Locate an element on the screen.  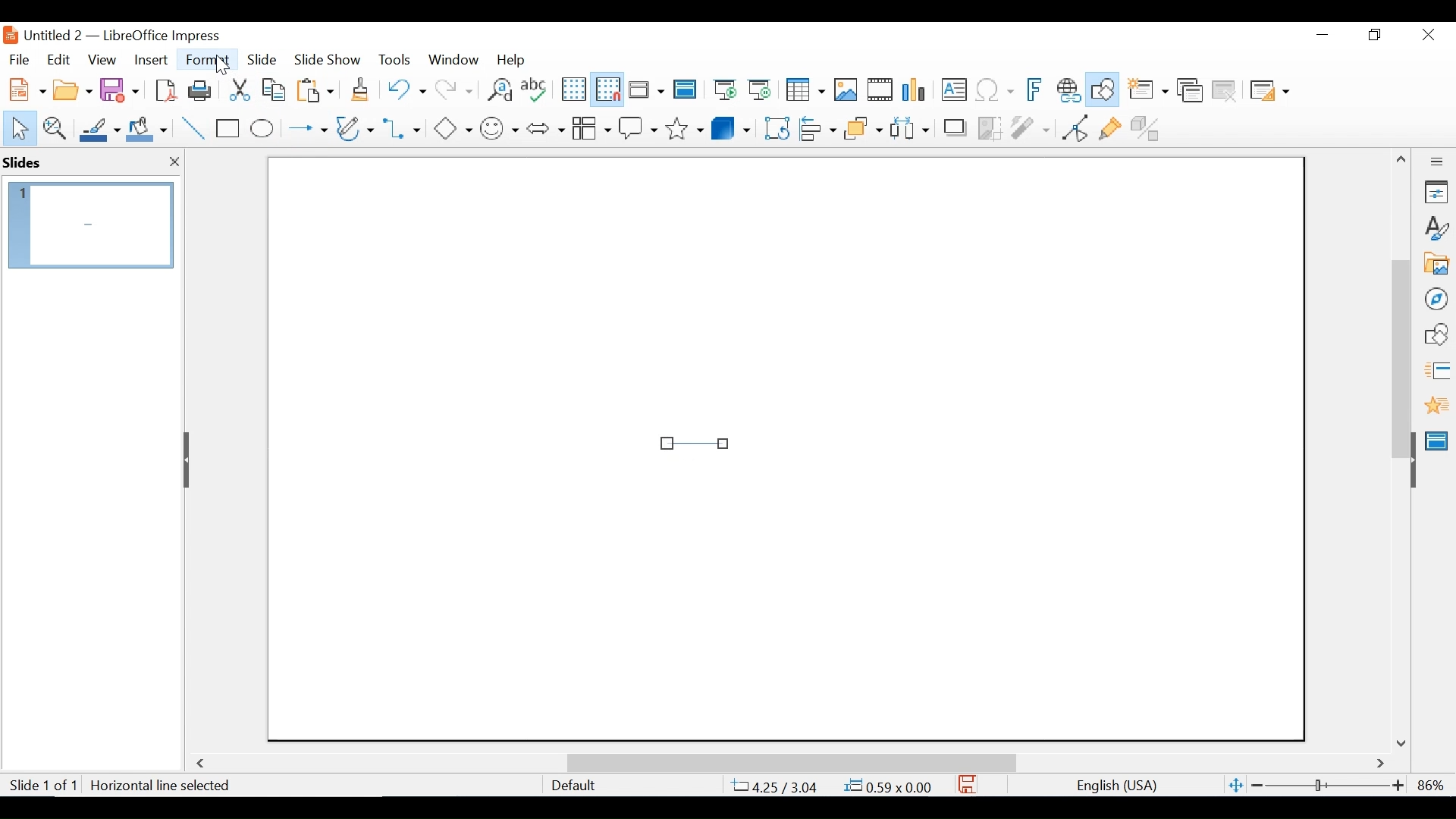
Block Arrows is located at coordinates (544, 127).